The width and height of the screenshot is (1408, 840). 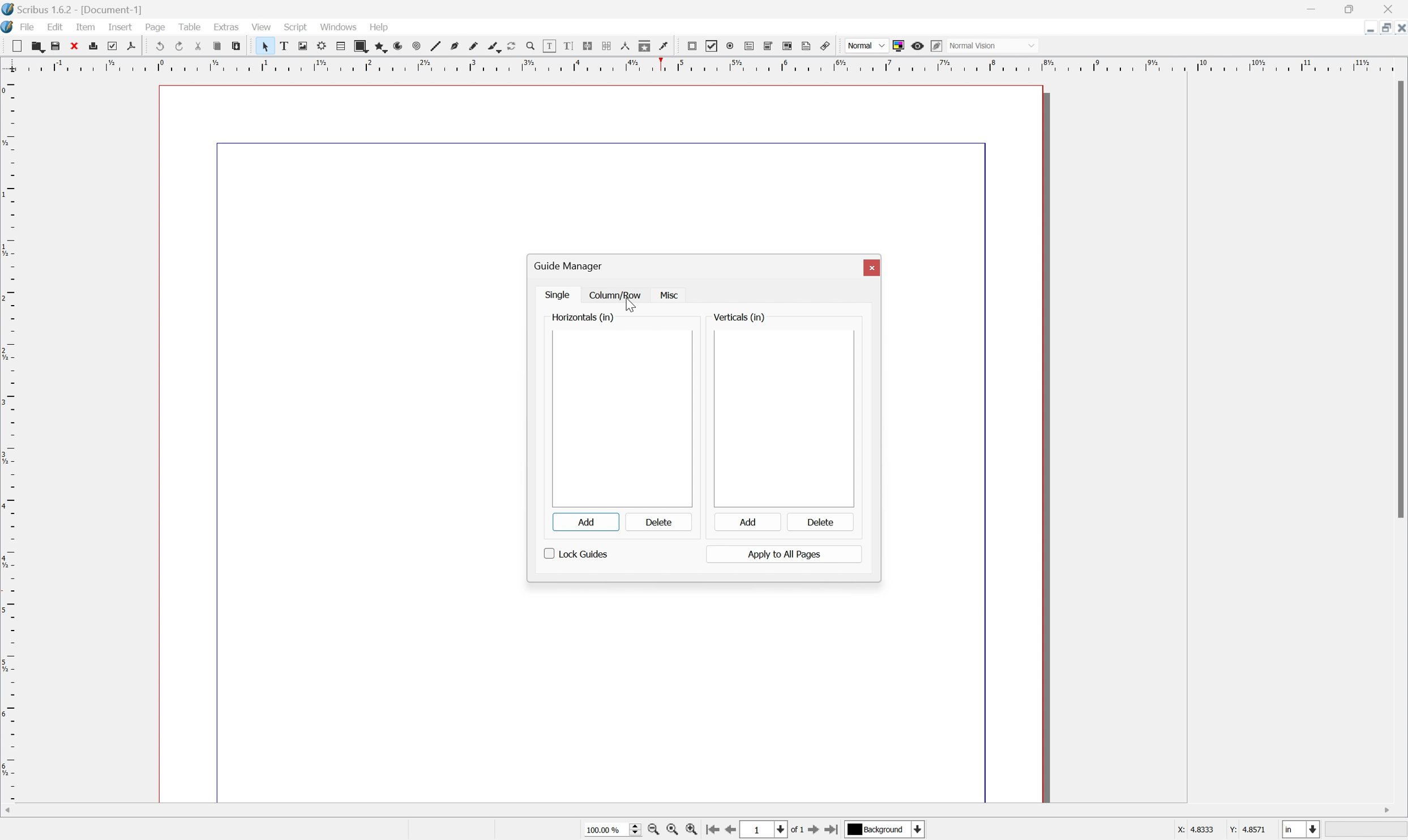 I want to click on close, so click(x=1399, y=28).